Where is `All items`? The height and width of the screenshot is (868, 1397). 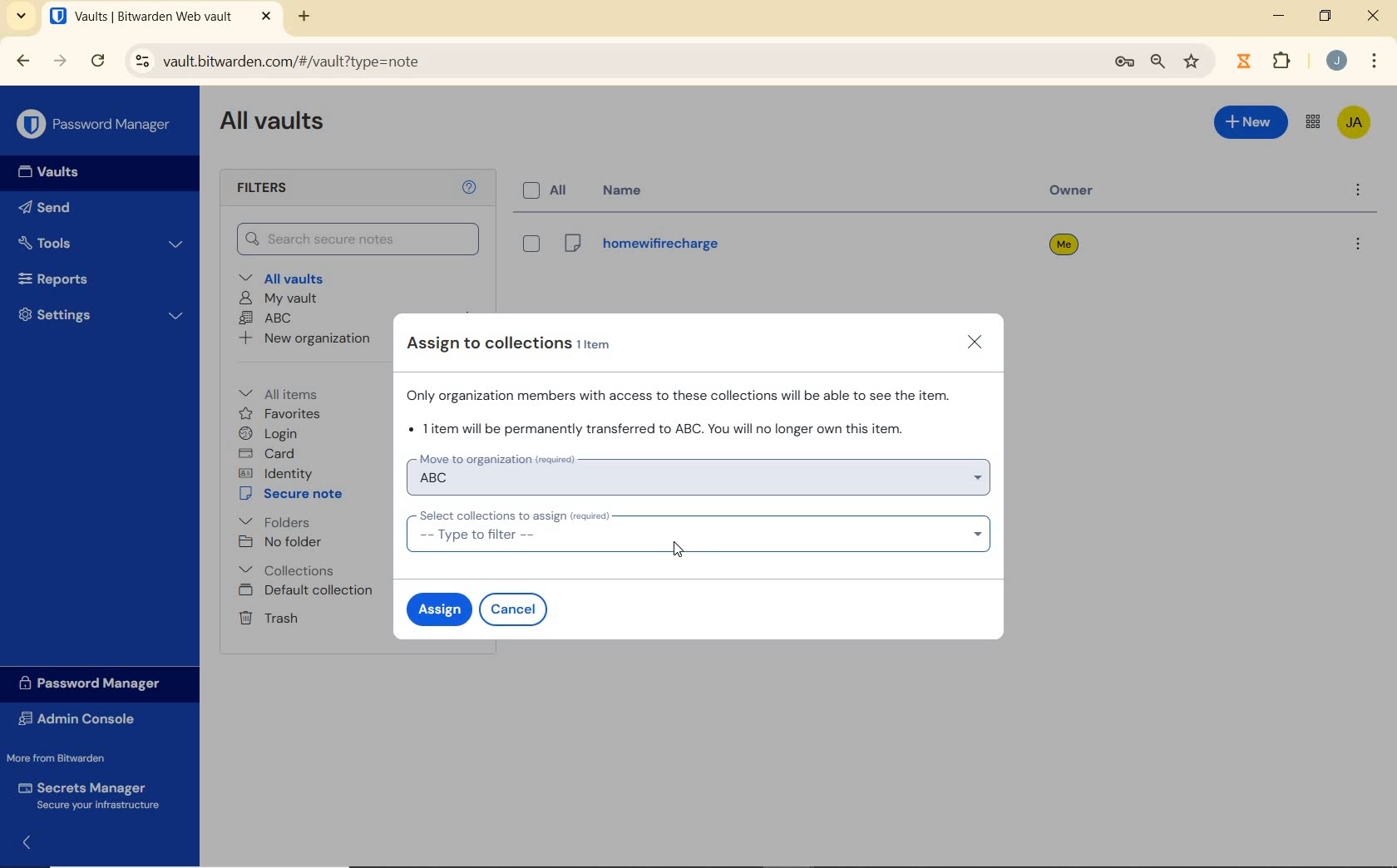 All items is located at coordinates (290, 392).